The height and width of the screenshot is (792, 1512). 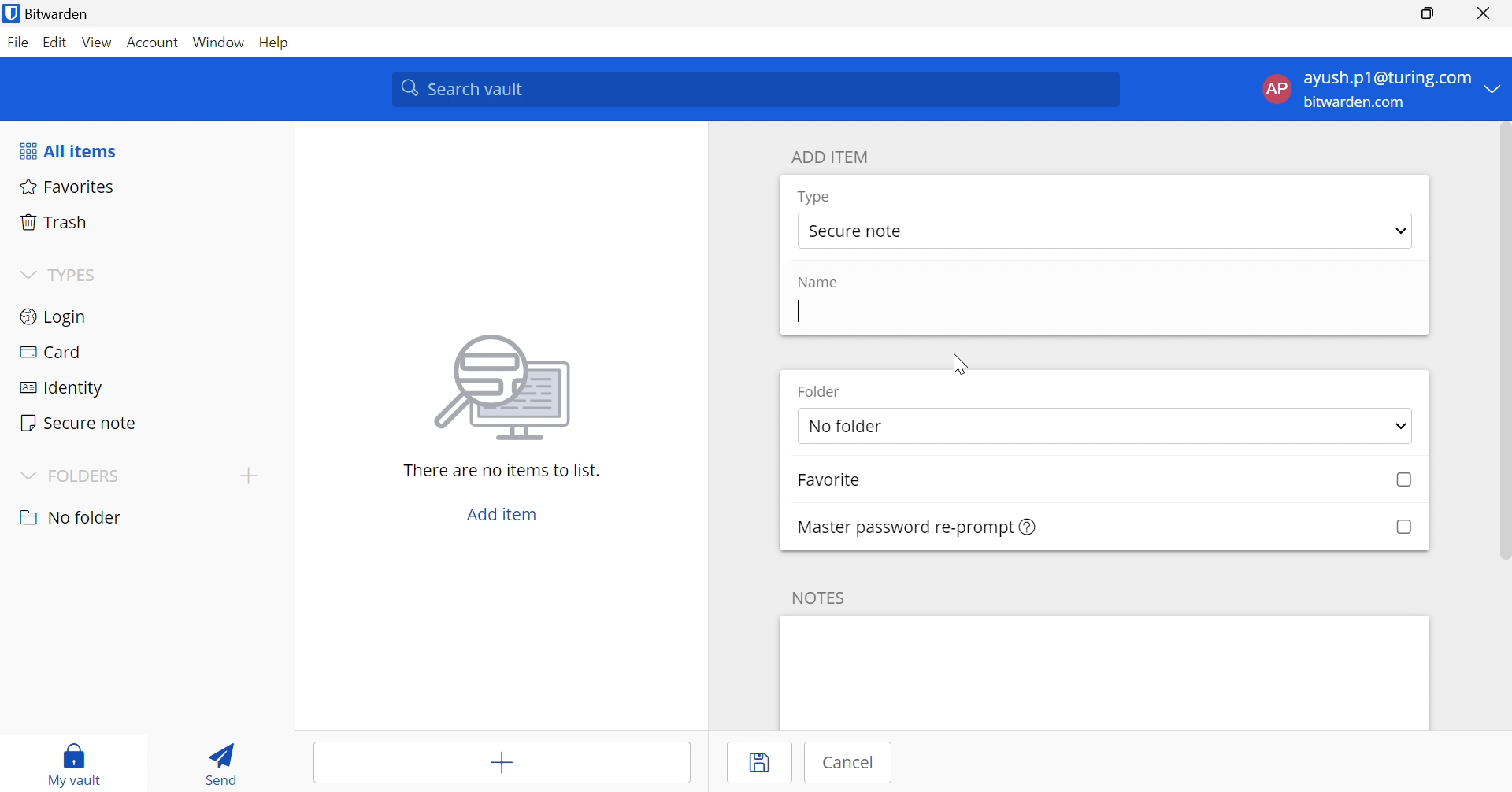 I want to click on Add item, so click(x=502, y=763).